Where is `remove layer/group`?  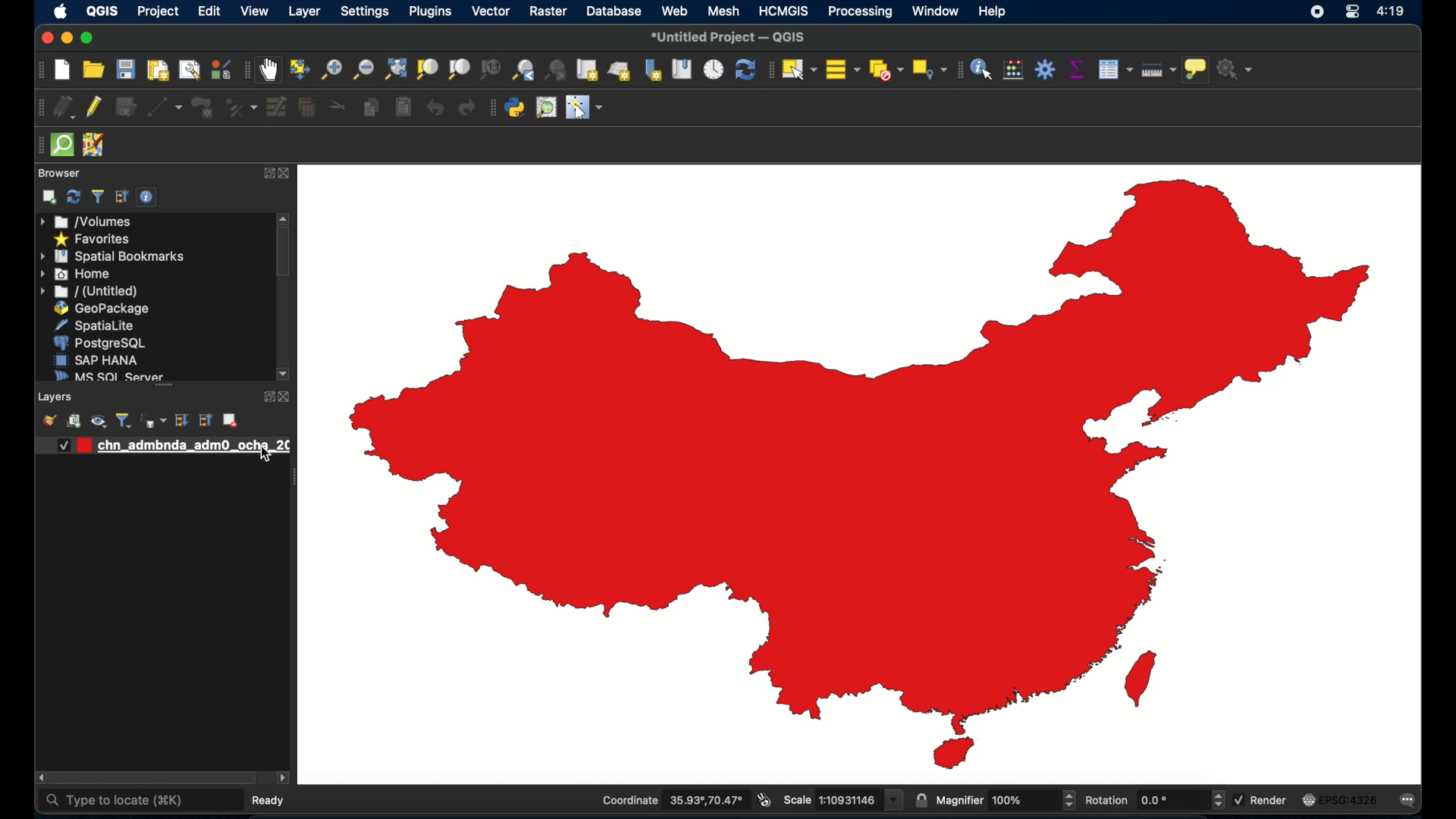
remove layer/group is located at coordinates (230, 420).